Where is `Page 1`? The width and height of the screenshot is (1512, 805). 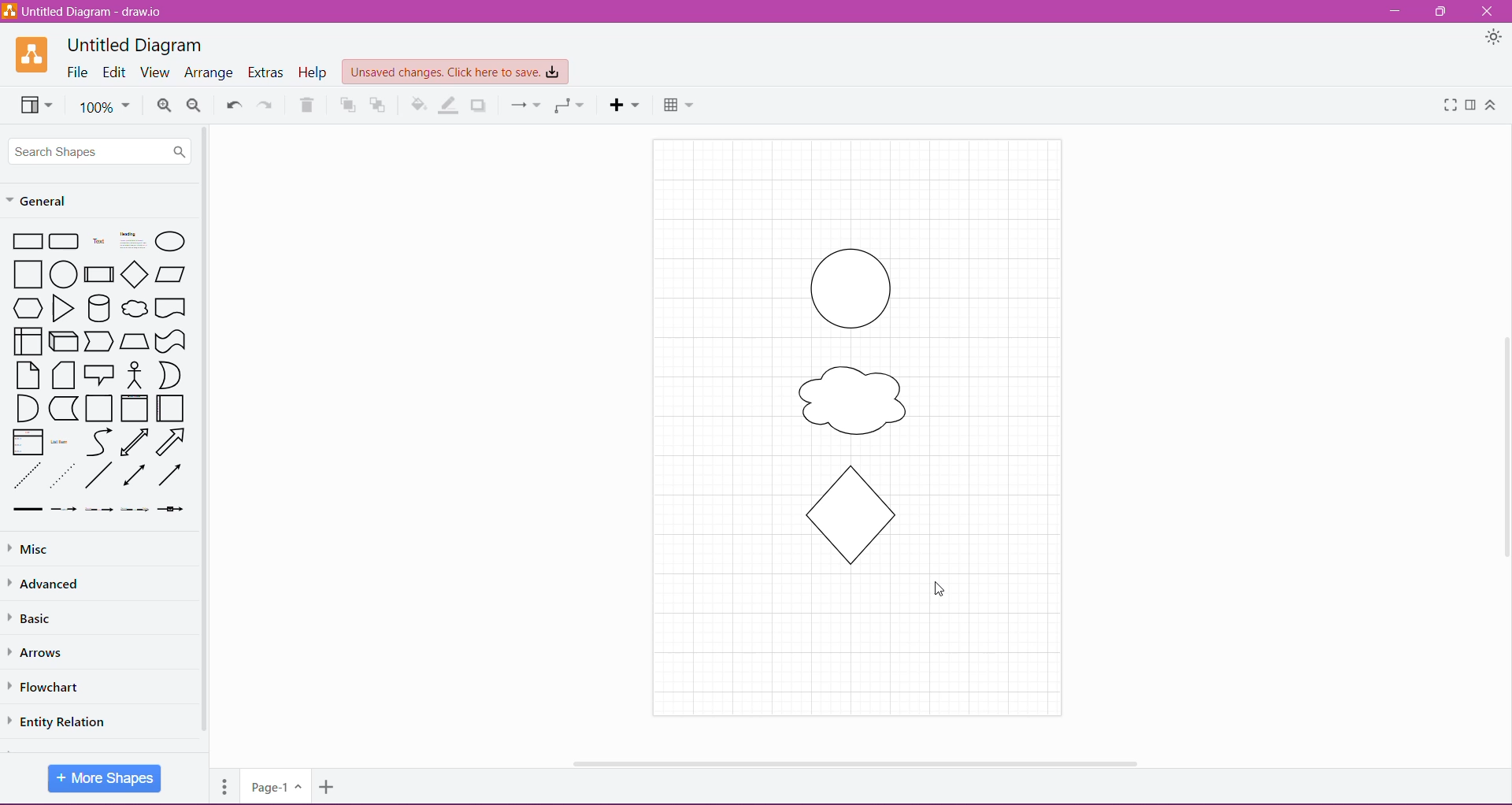 Page 1 is located at coordinates (274, 785).